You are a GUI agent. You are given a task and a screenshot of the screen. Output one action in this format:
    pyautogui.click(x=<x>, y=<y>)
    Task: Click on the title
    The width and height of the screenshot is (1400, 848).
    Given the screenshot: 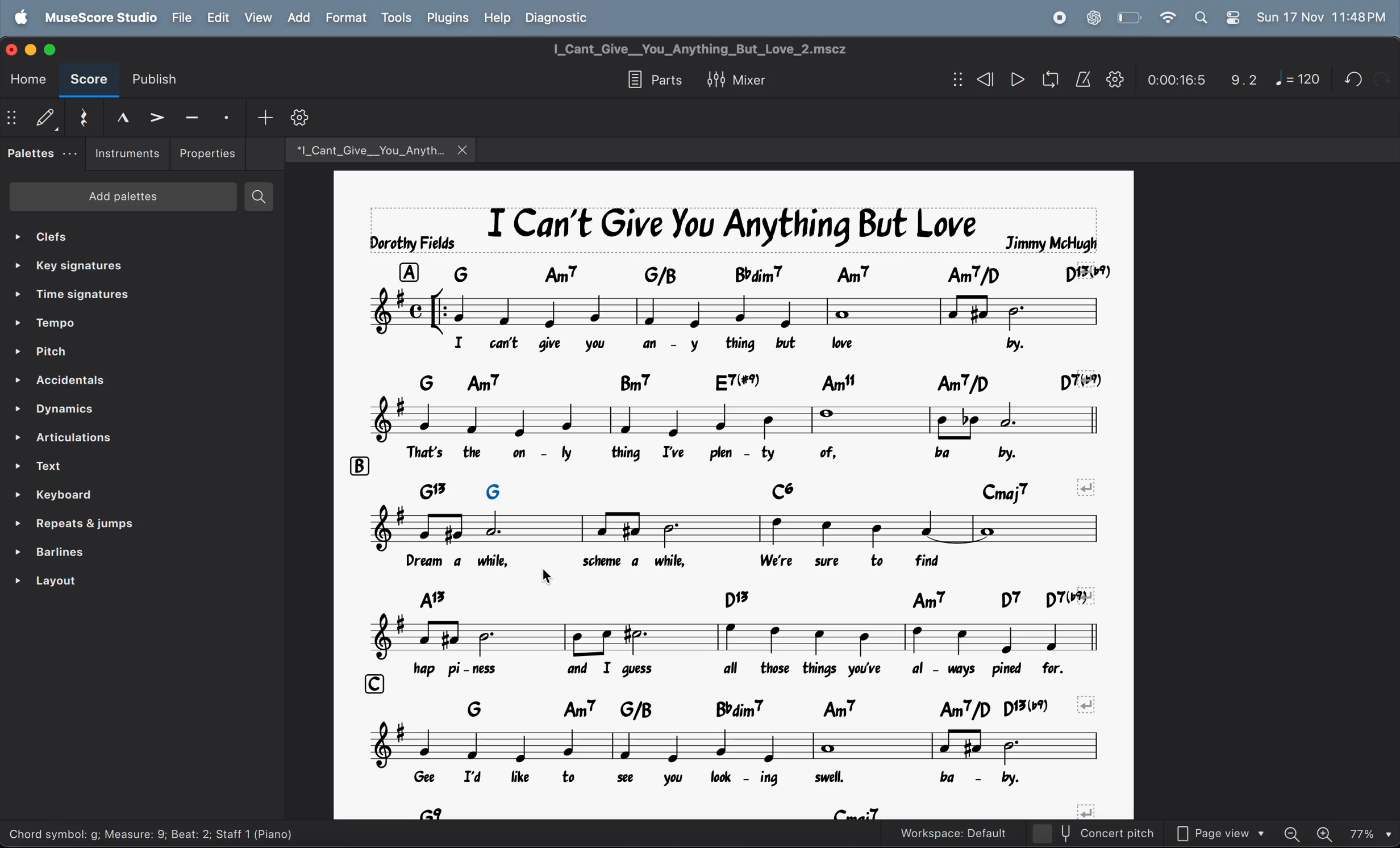 What is the action you would take?
    pyautogui.click(x=708, y=51)
    